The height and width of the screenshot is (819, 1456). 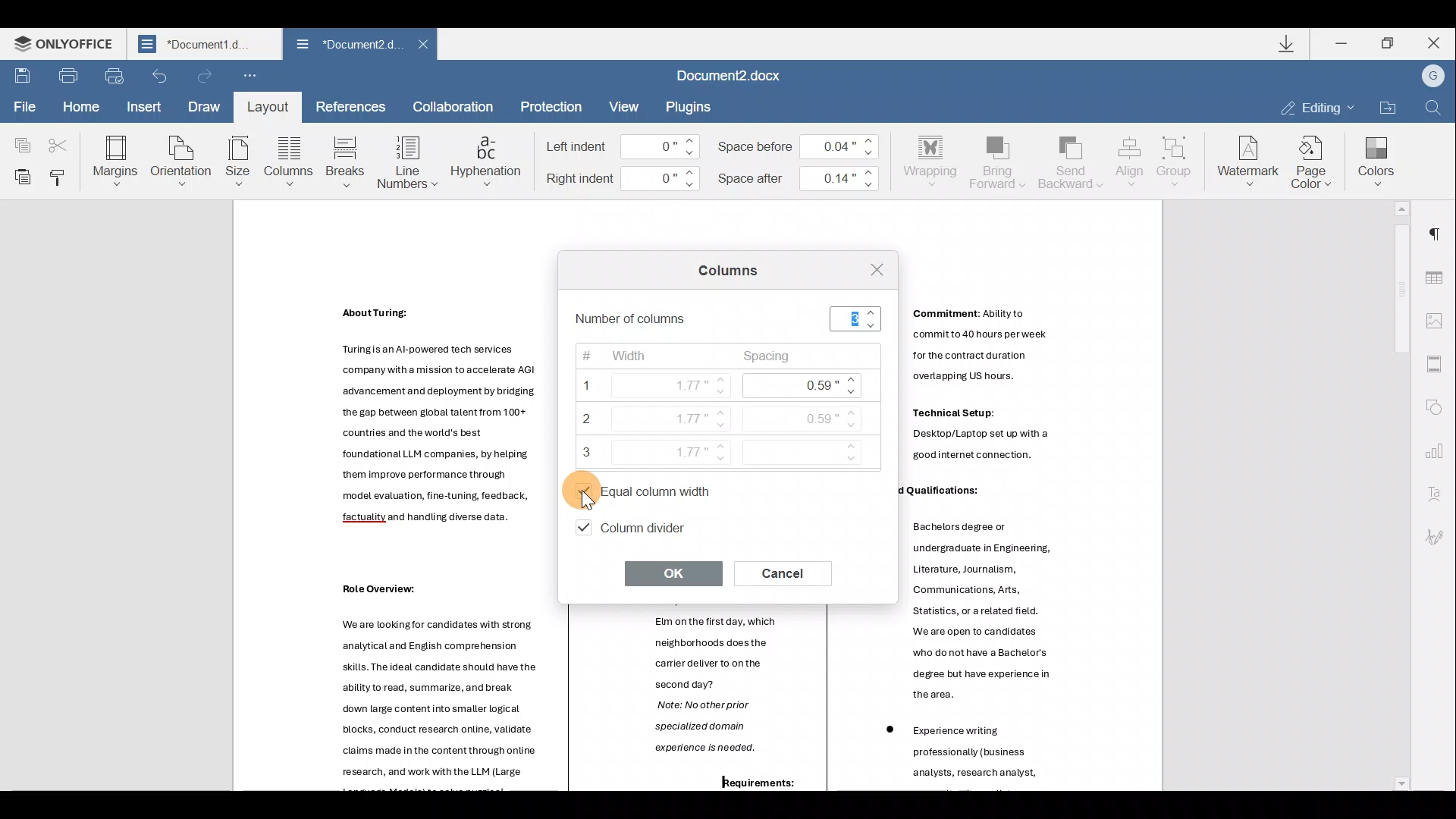 What do you see at coordinates (1288, 45) in the screenshot?
I see `Downloads` at bounding box center [1288, 45].